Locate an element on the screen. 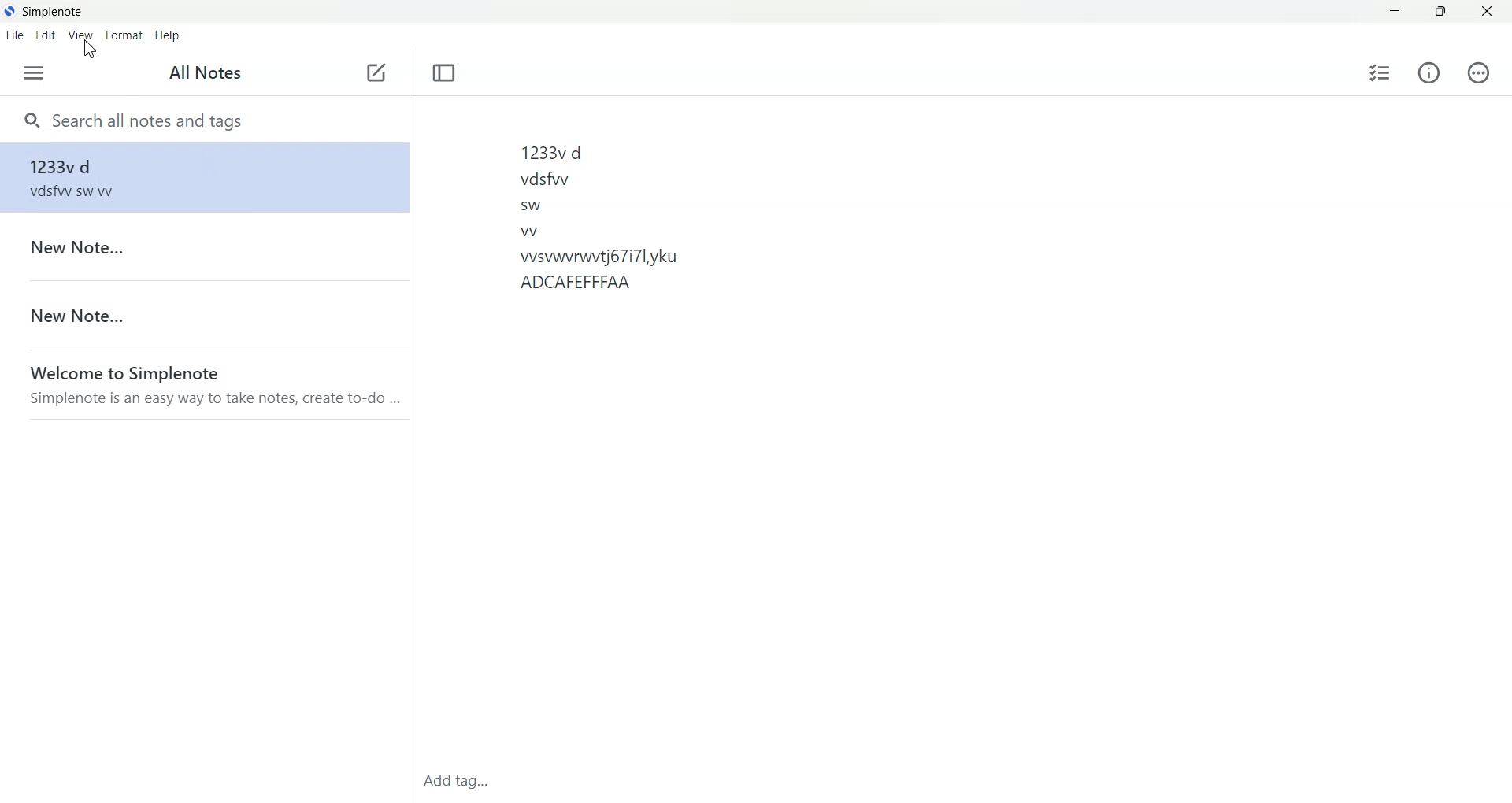 The width and height of the screenshot is (1512, 803). Minimize is located at coordinates (1394, 9).